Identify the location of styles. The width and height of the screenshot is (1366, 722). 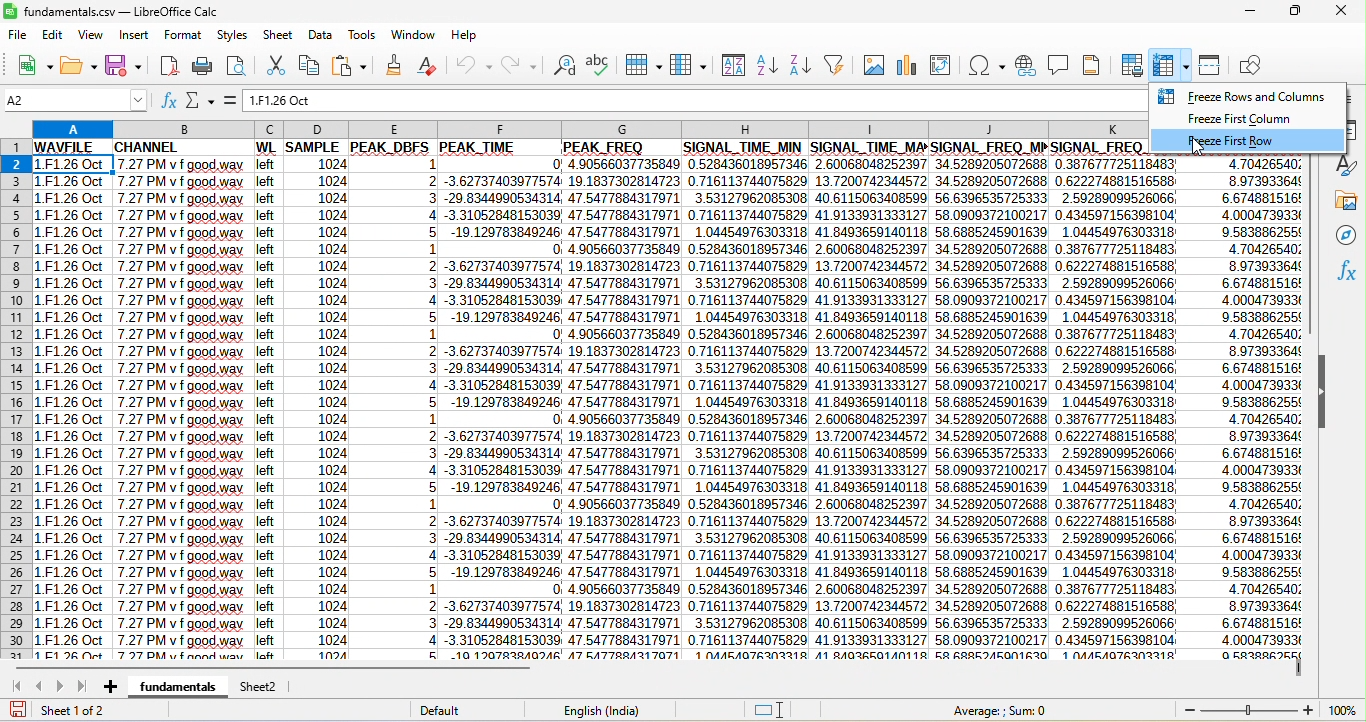
(233, 36).